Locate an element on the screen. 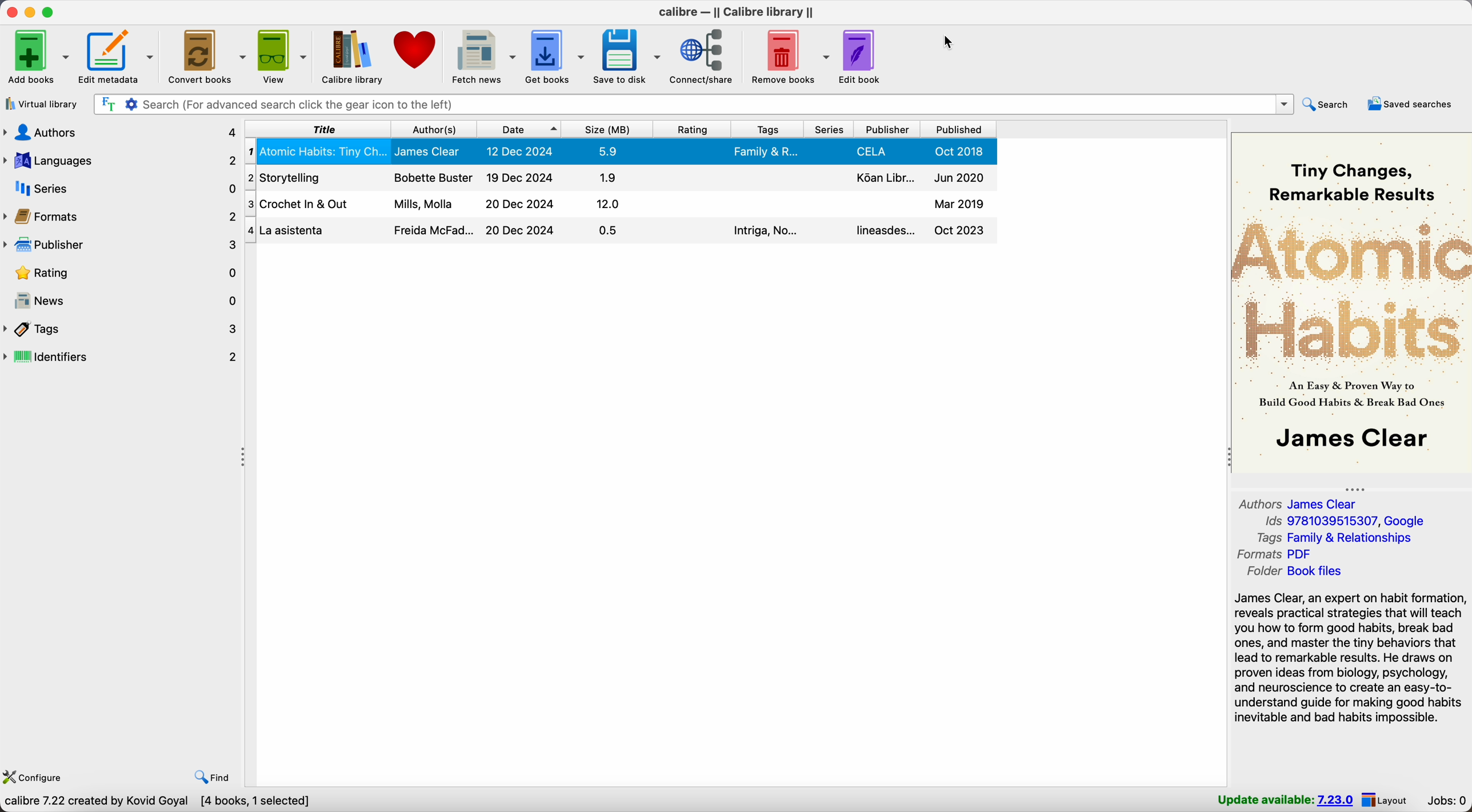 The image size is (1472, 812). convert books is located at coordinates (209, 56).